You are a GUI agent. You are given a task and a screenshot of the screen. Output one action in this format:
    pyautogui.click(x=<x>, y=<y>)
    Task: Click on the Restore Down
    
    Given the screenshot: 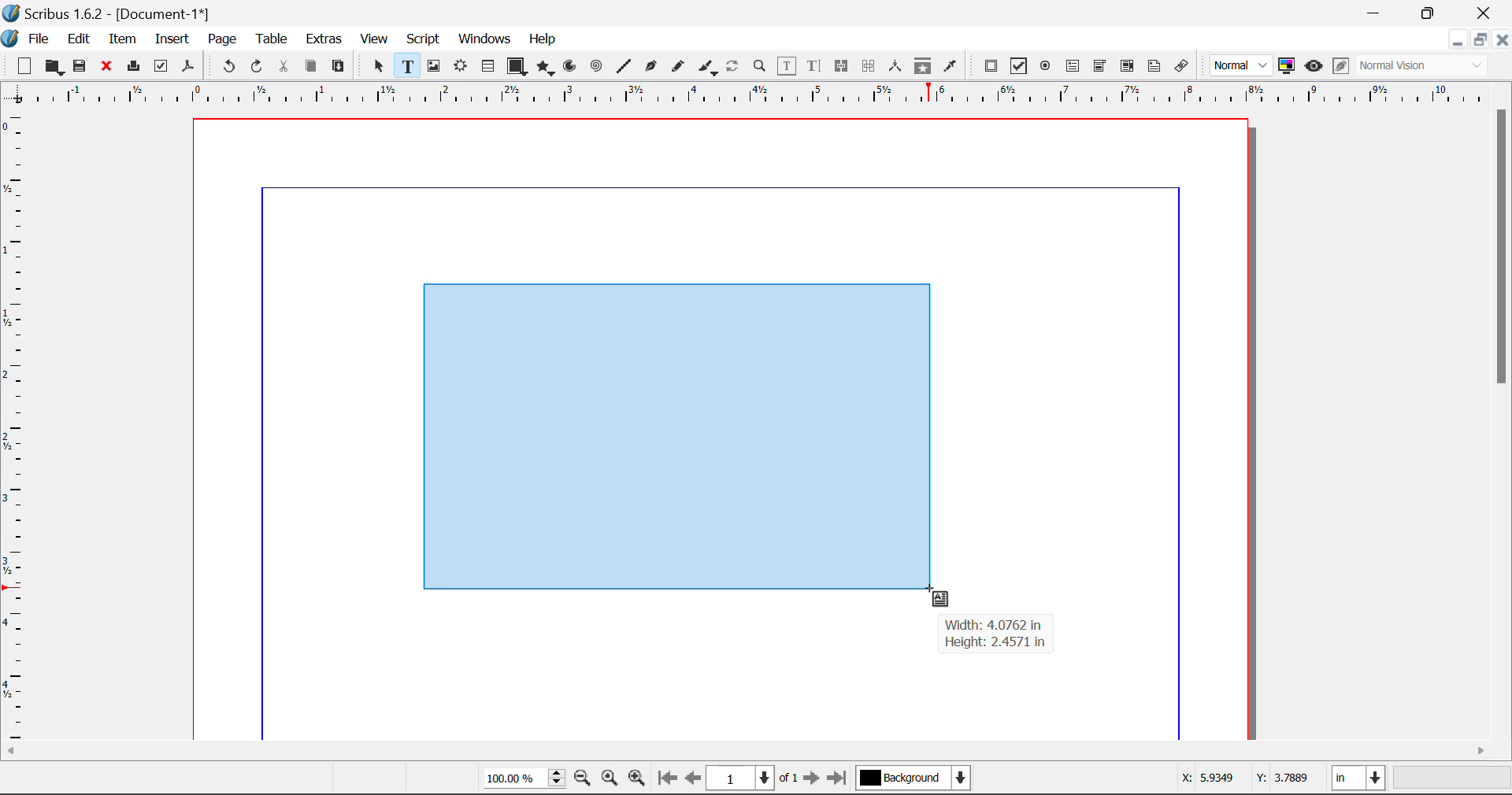 What is the action you would take?
    pyautogui.click(x=1457, y=39)
    